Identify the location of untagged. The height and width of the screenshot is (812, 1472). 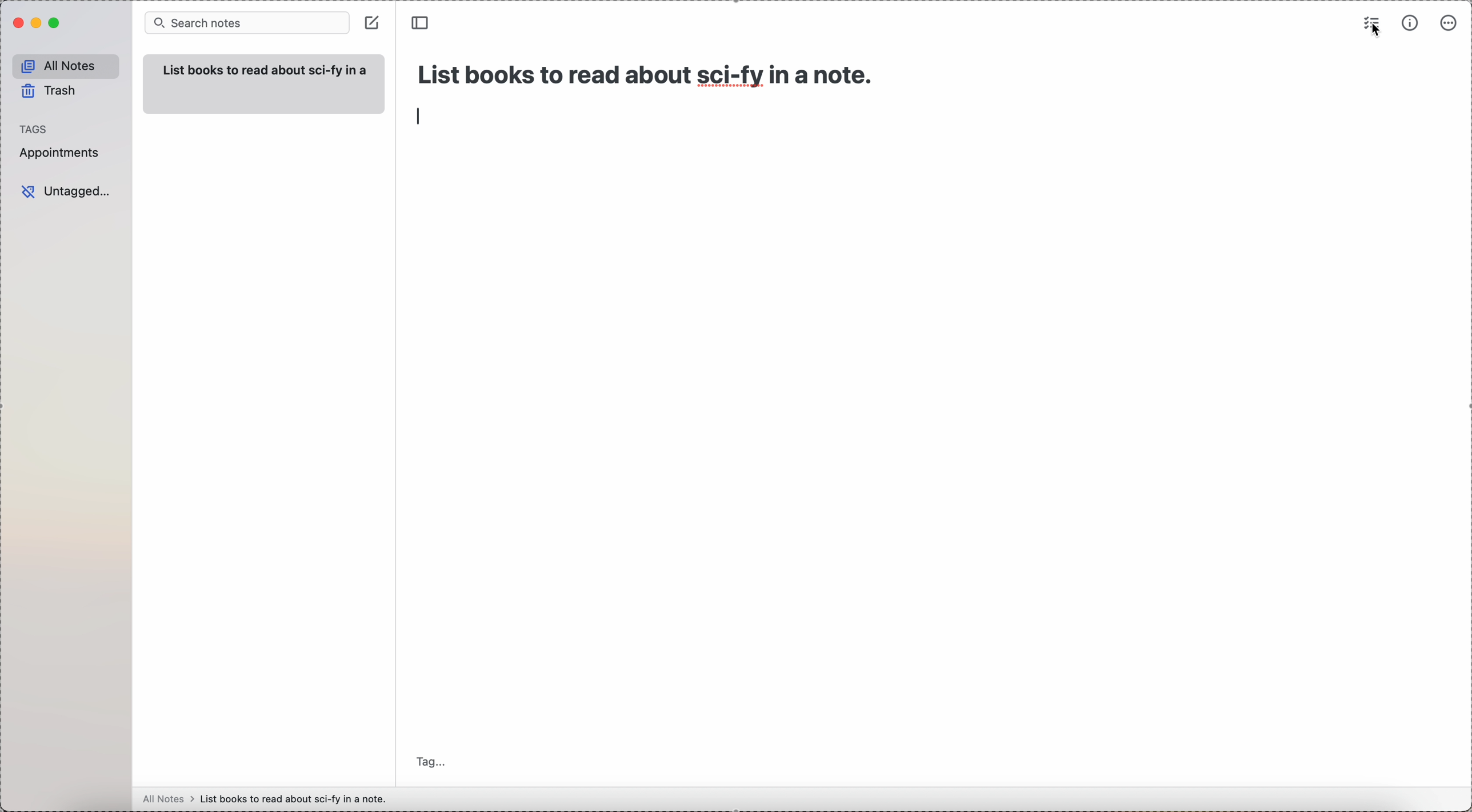
(66, 191).